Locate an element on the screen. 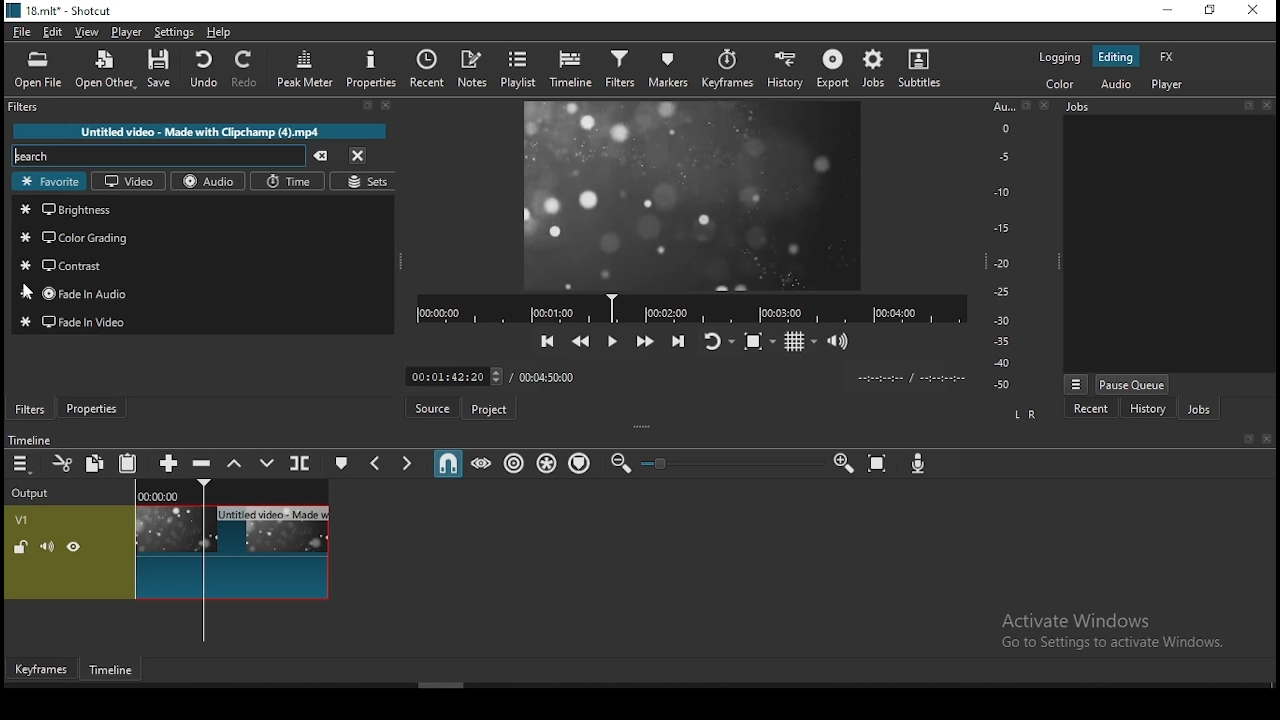 This screenshot has height=720, width=1280. player is located at coordinates (1168, 84).